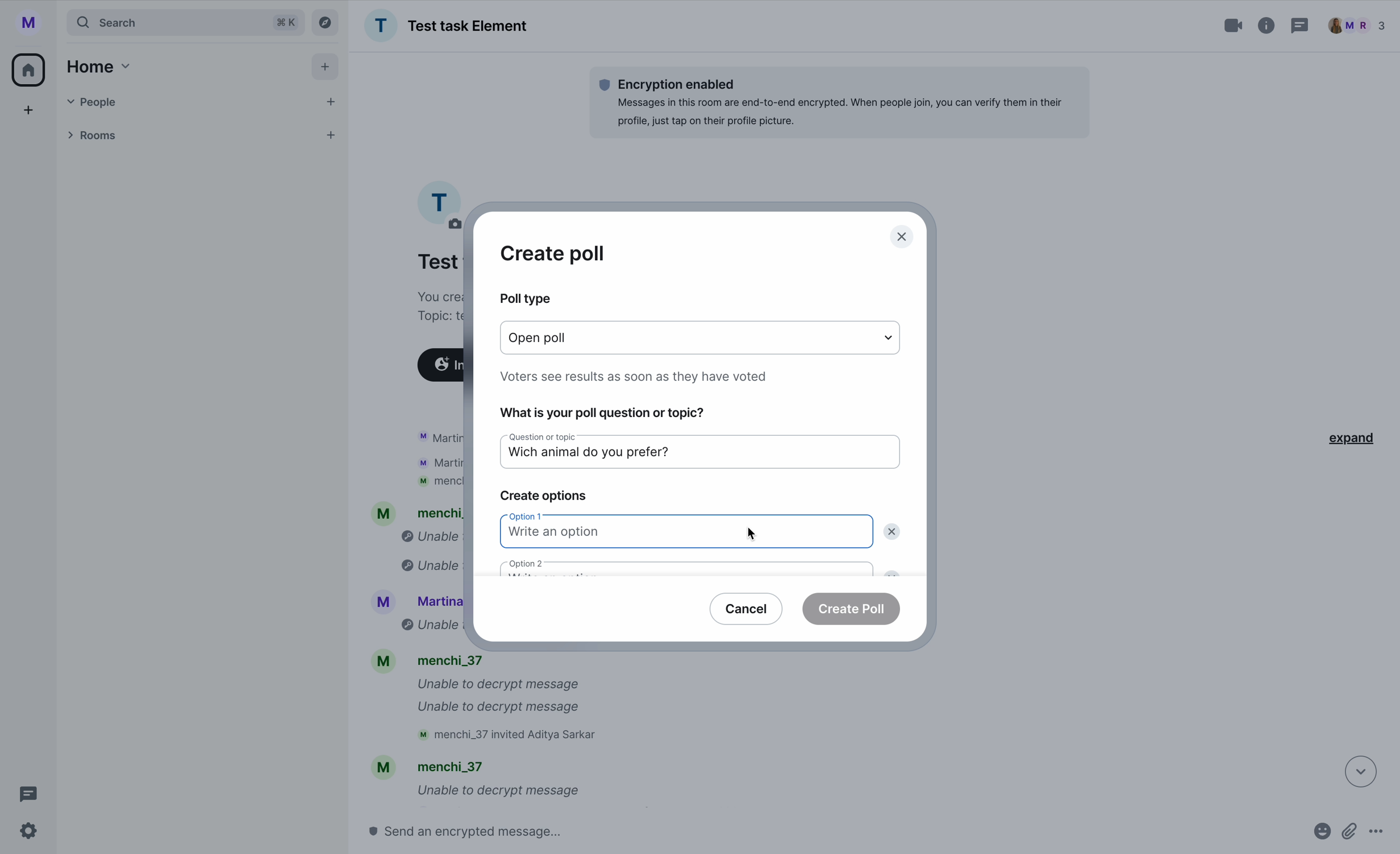  Describe the element at coordinates (446, 26) in the screenshot. I see `Test task Element` at that location.